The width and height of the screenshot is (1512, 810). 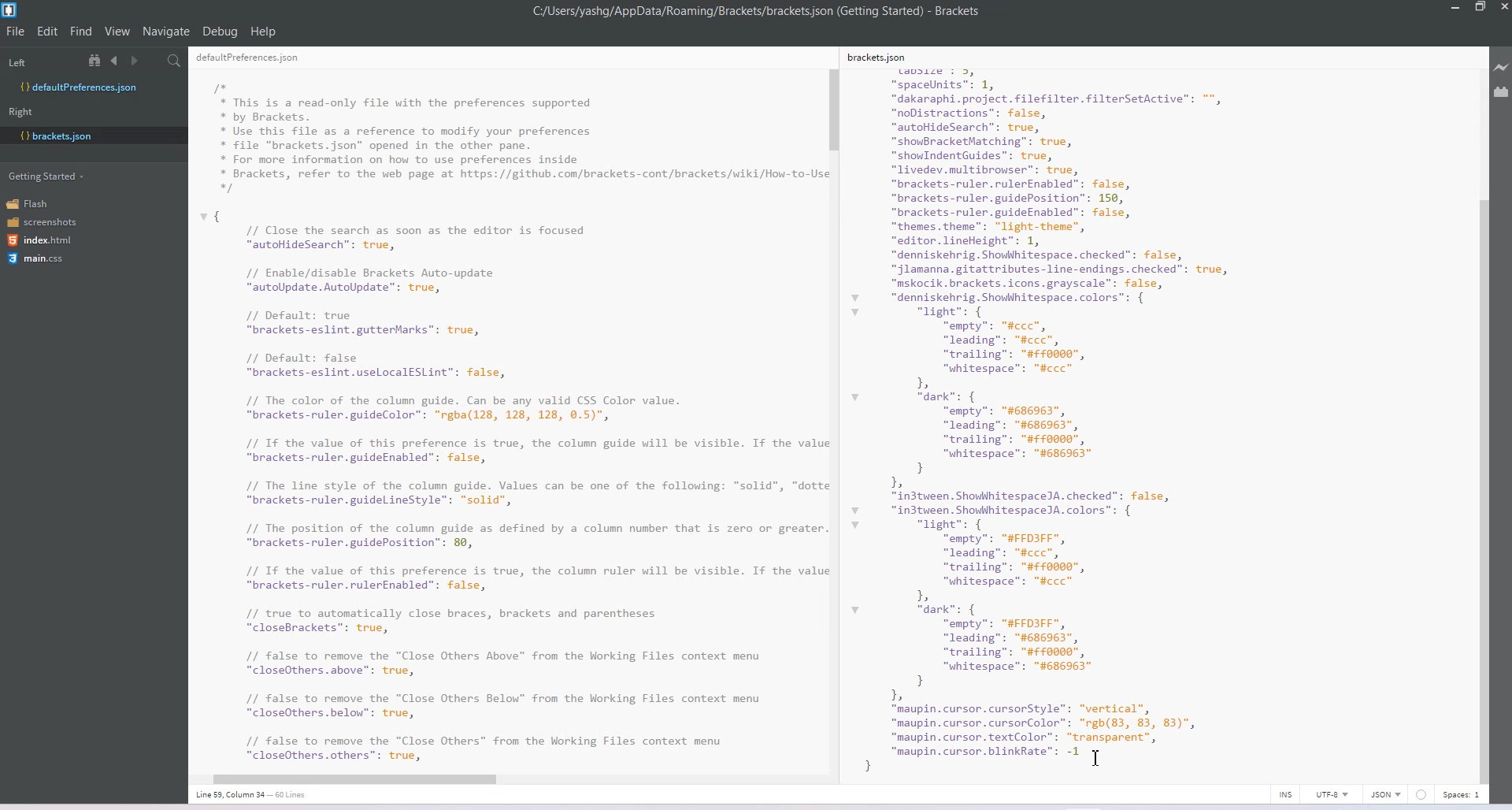 What do you see at coordinates (49, 31) in the screenshot?
I see `Edit` at bounding box center [49, 31].